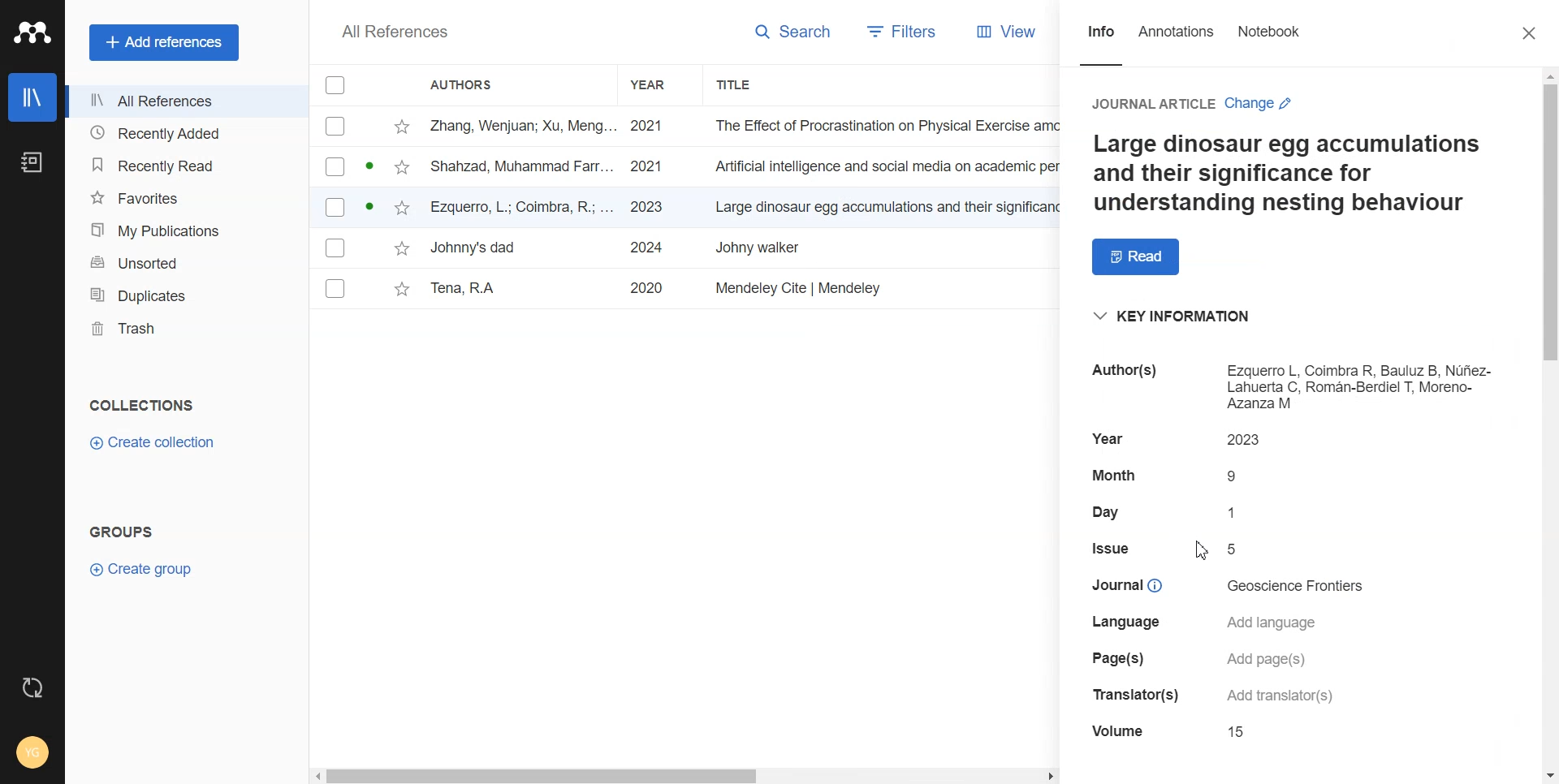 This screenshot has width=1559, height=784. Describe the element at coordinates (184, 198) in the screenshot. I see `Favorites` at that location.